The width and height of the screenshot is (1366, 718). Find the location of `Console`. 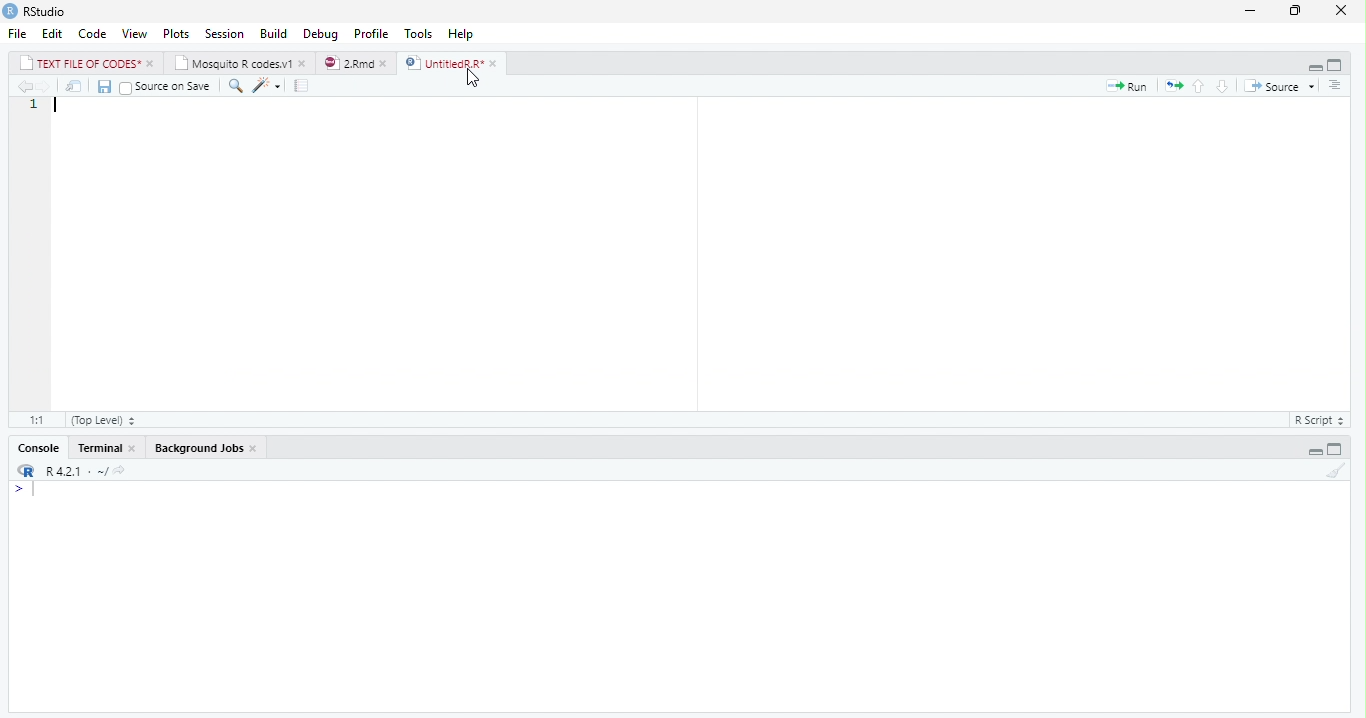

Console is located at coordinates (41, 449).